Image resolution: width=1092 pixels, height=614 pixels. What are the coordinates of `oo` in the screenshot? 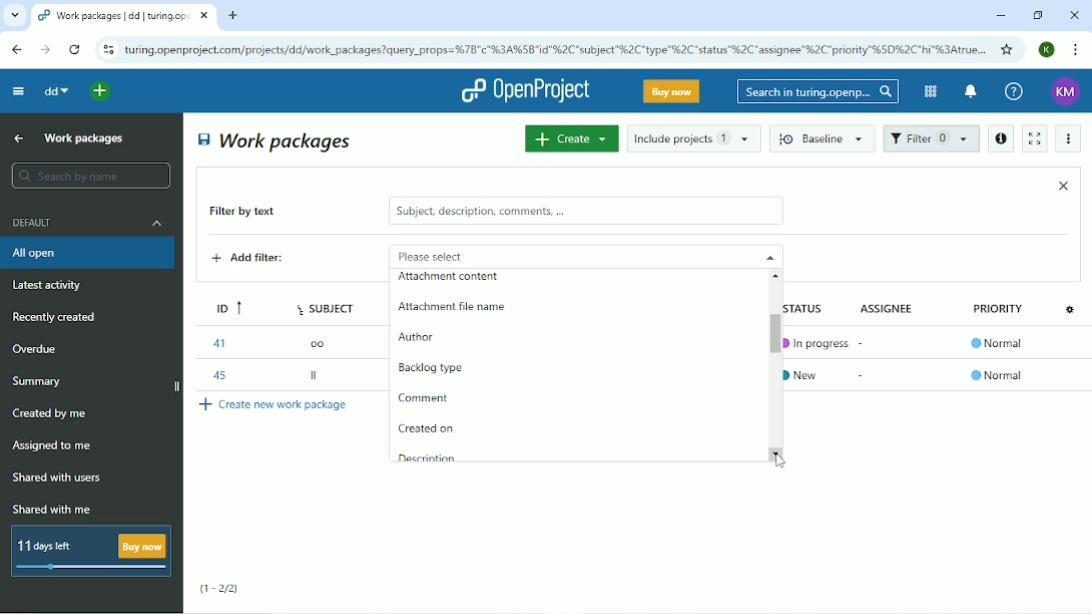 It's located at (323, 342).